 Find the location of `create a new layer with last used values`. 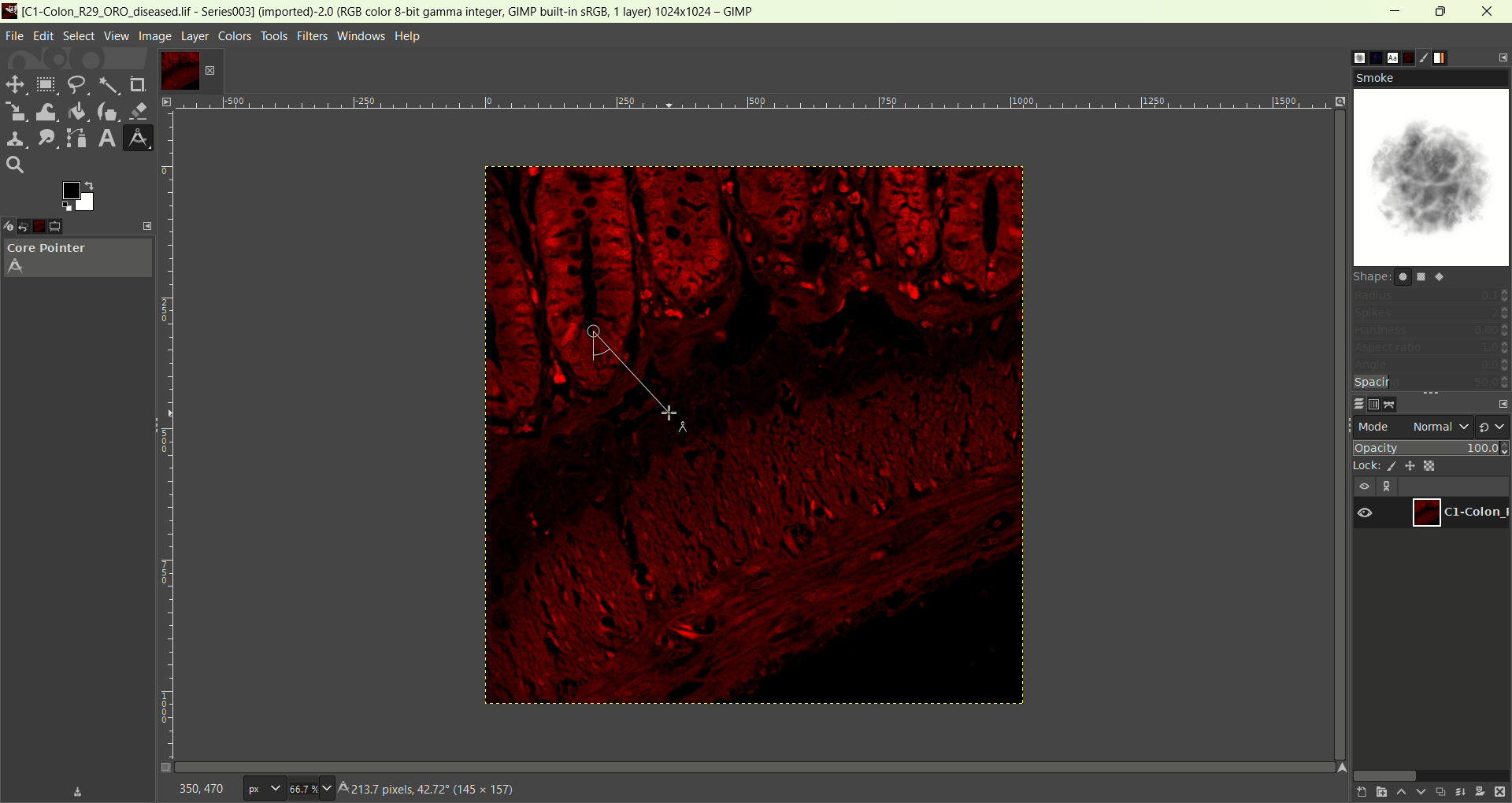

create a new layer with last used values is located at coordinates (1355, 793).